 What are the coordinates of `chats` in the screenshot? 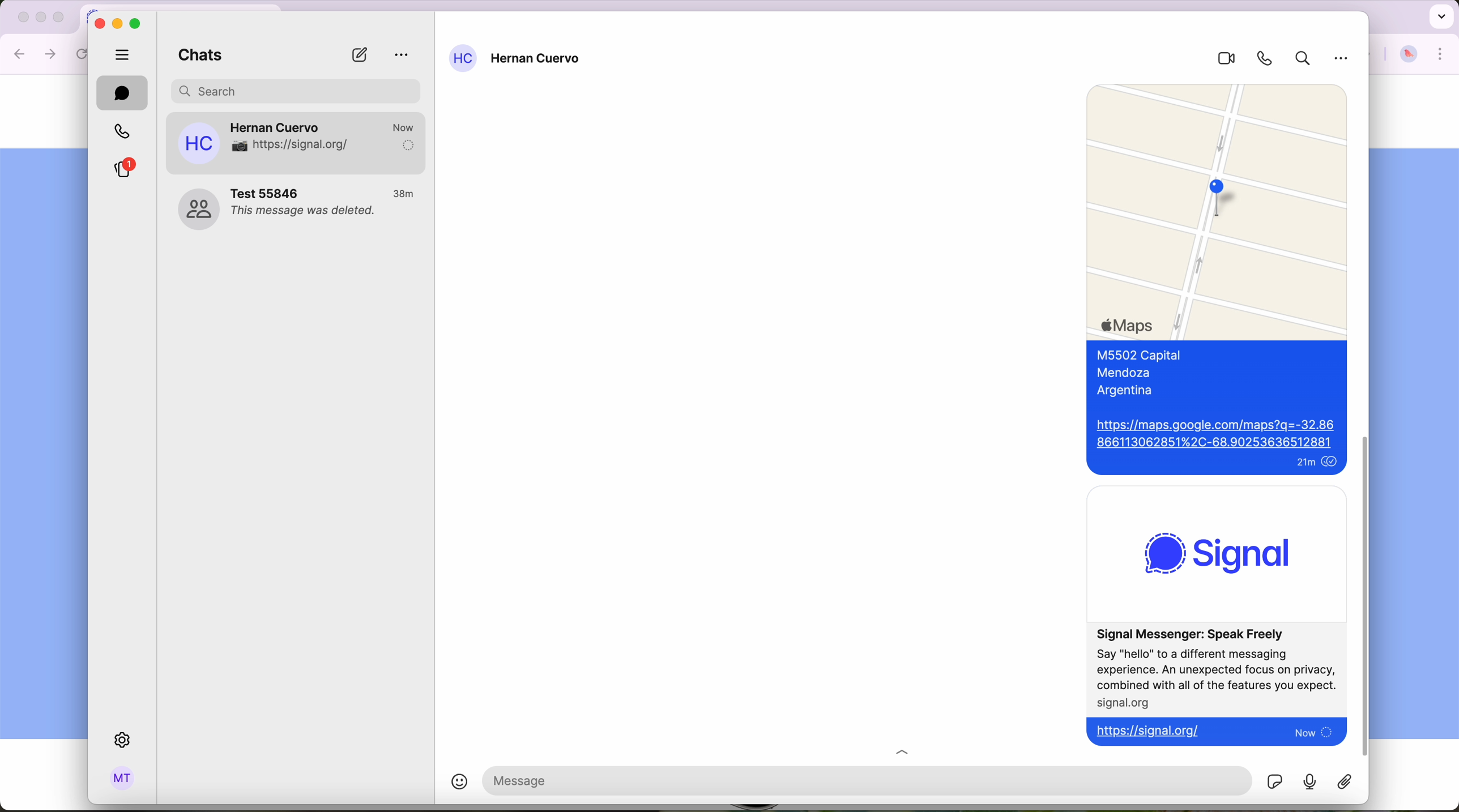 It's located at (196, 57).